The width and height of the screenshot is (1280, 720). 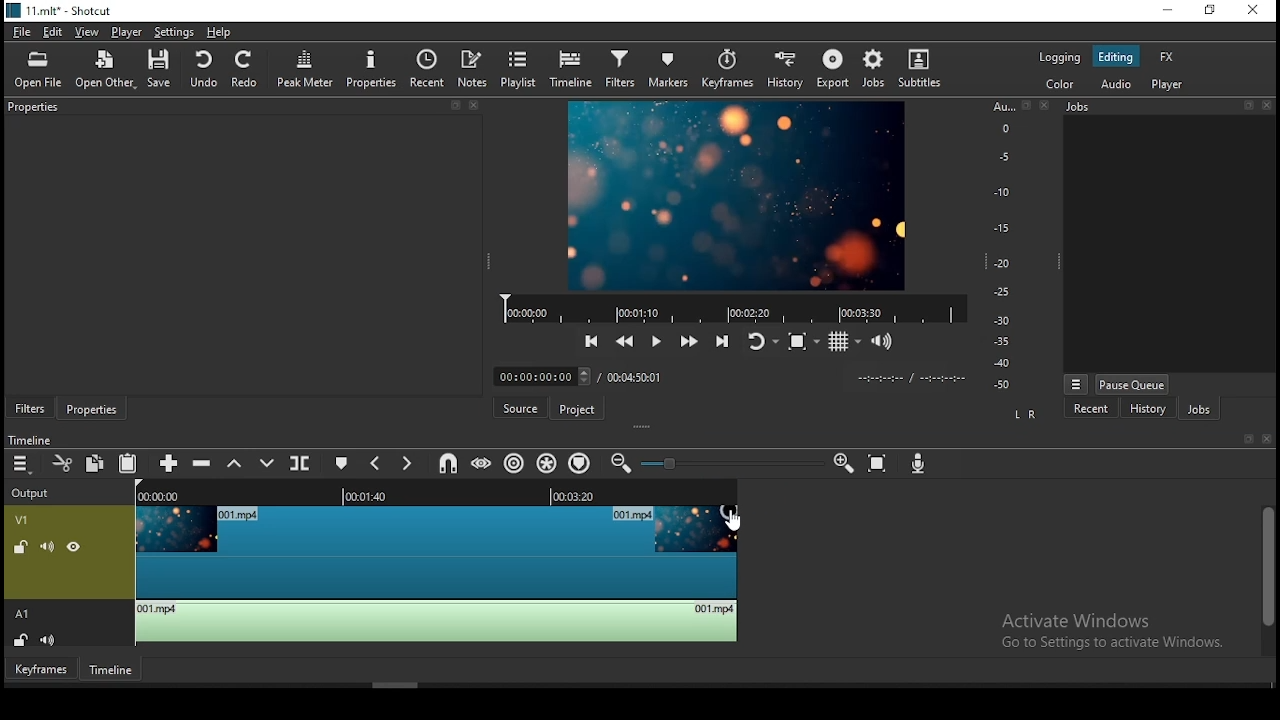 What do you see at coordinates (174, 31) in the screenshot?
I see `settings` at bounding box center [174, 31].